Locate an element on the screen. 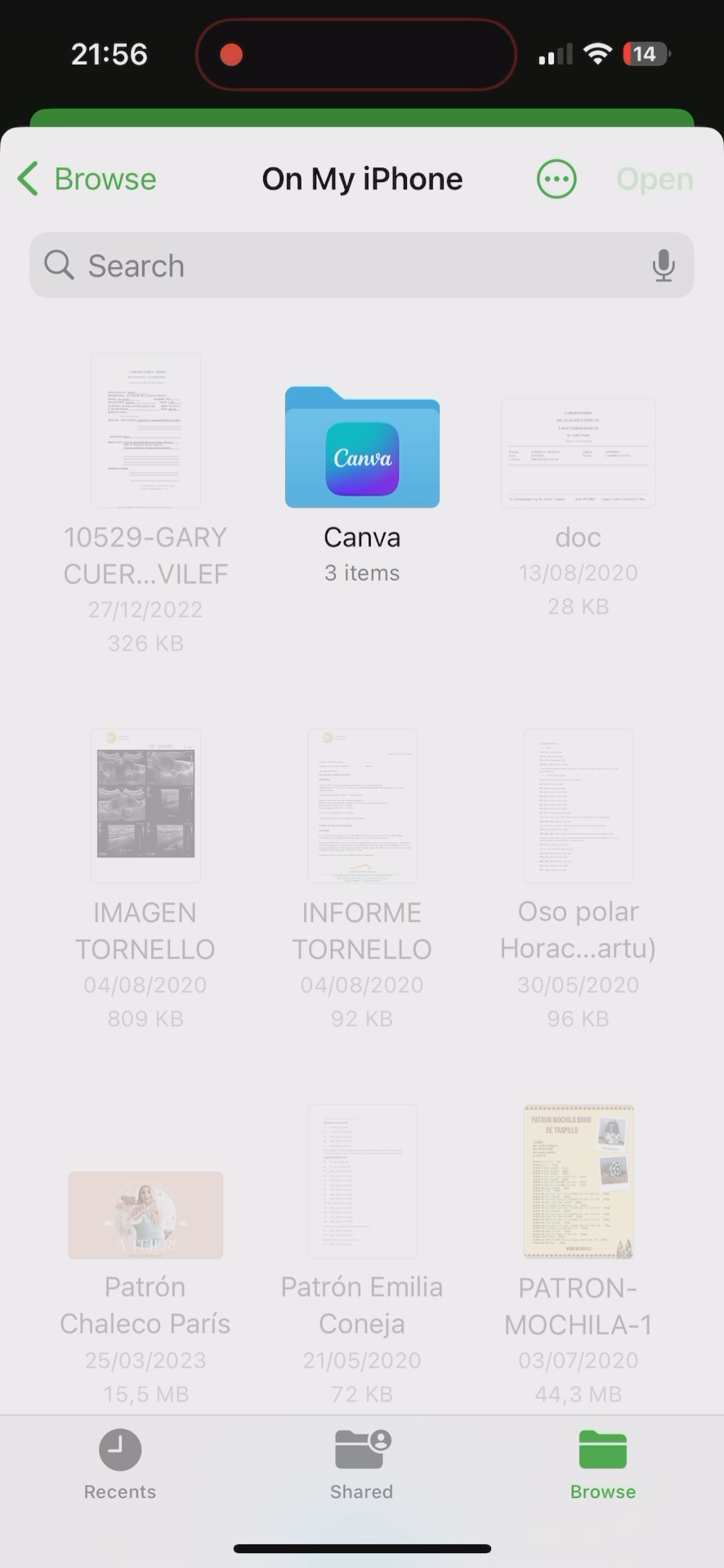 The width and height of the screenshot is (724, 1568). browse is located at coordinates (606, 1465).